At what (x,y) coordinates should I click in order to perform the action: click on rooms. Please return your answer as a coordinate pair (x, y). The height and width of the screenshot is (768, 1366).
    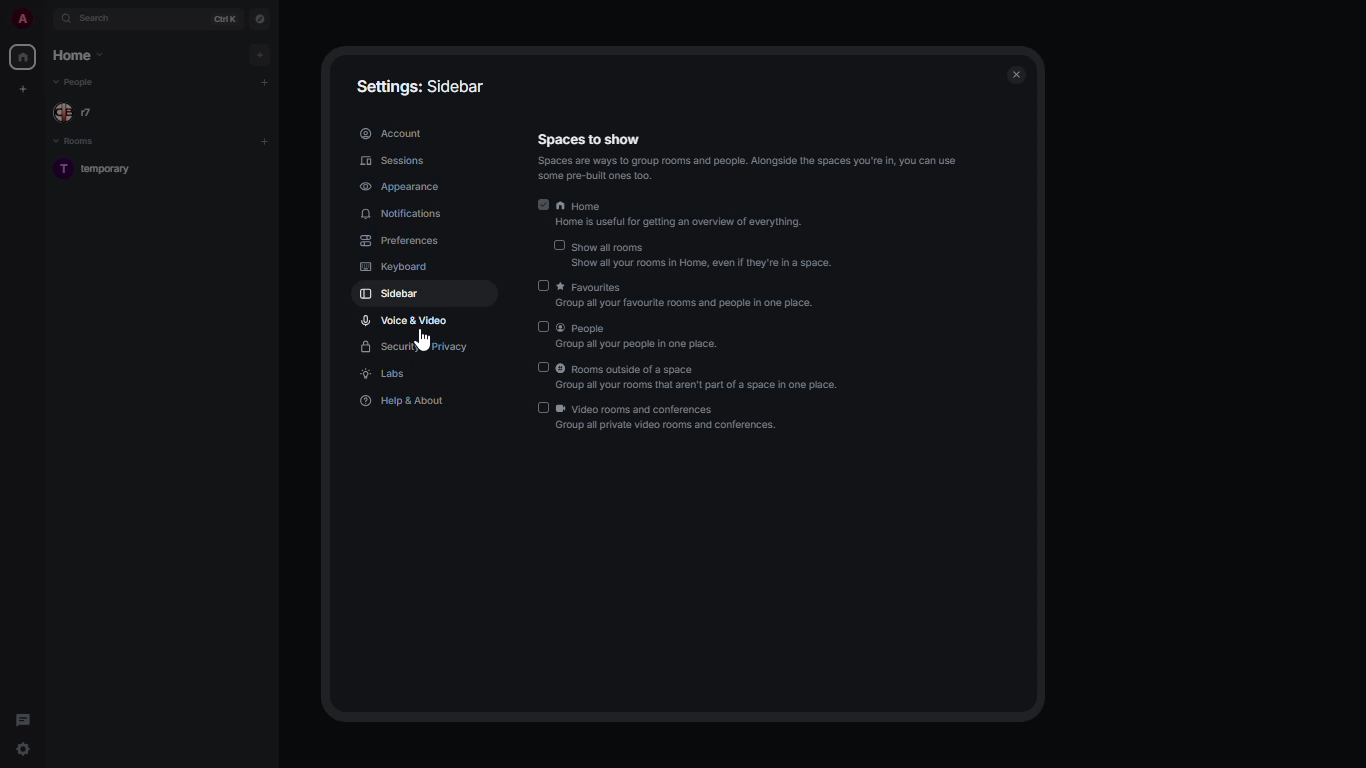
    Looking at the image, I should click on (78, 143).